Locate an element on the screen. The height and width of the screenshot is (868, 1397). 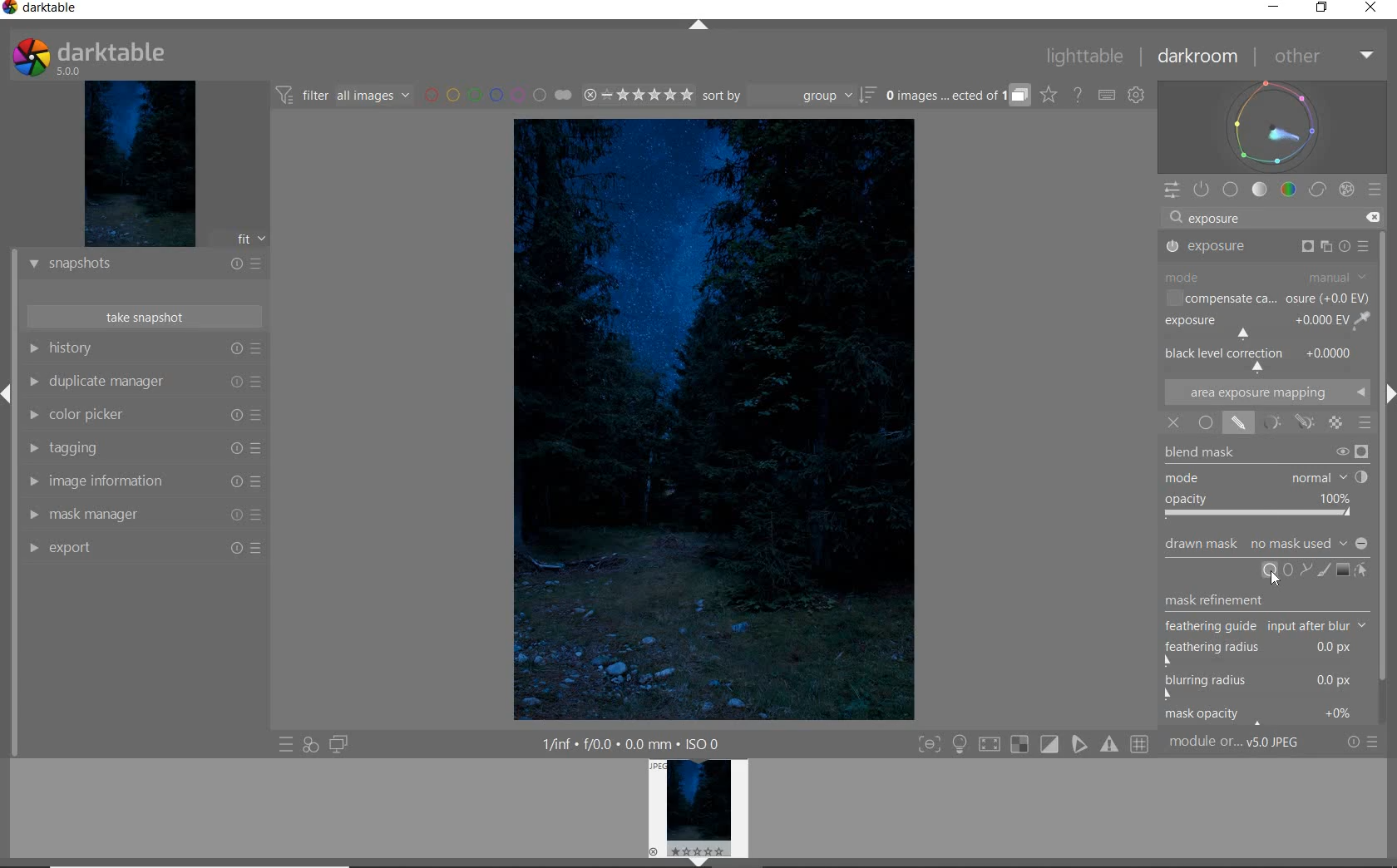
CLOSE is located at coordinates (1370, 10).